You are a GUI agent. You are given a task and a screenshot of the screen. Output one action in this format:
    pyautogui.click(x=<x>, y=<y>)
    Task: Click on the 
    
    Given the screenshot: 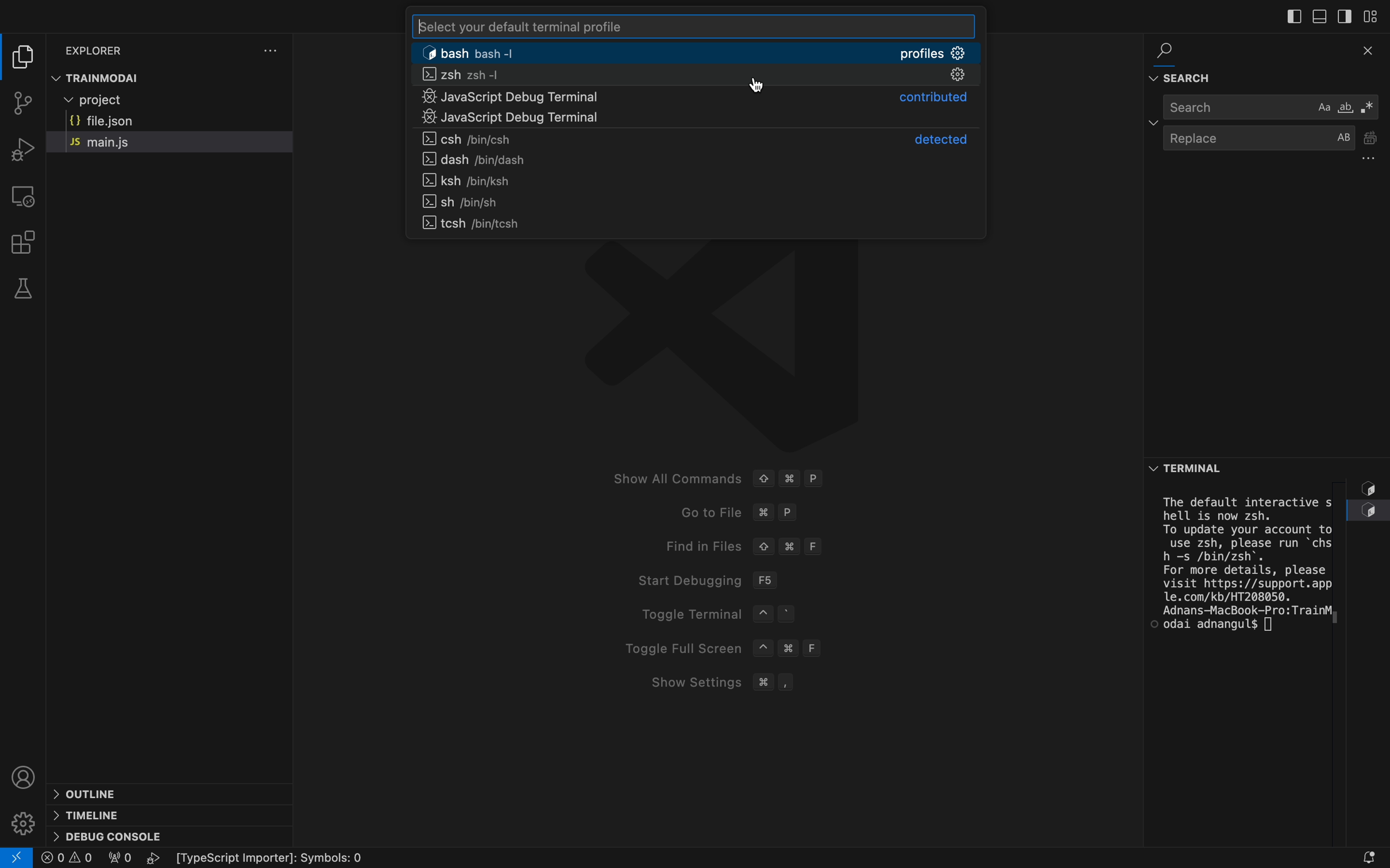 What is the action you would take?
    pyautogui.click(x=1365, y=487)
    